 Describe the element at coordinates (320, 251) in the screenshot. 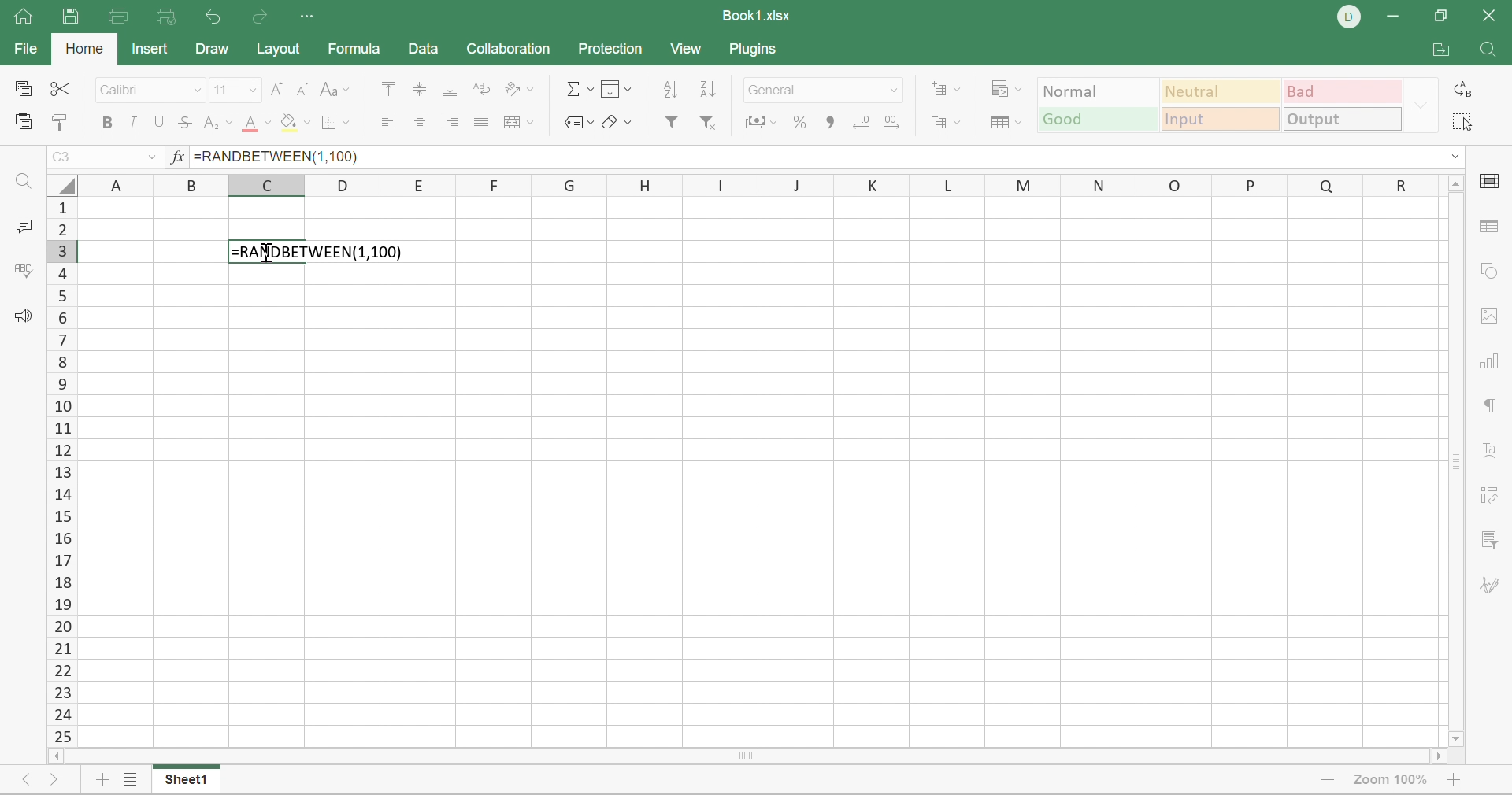

I see `=RANDBETWEEN(1,100)` at that location.